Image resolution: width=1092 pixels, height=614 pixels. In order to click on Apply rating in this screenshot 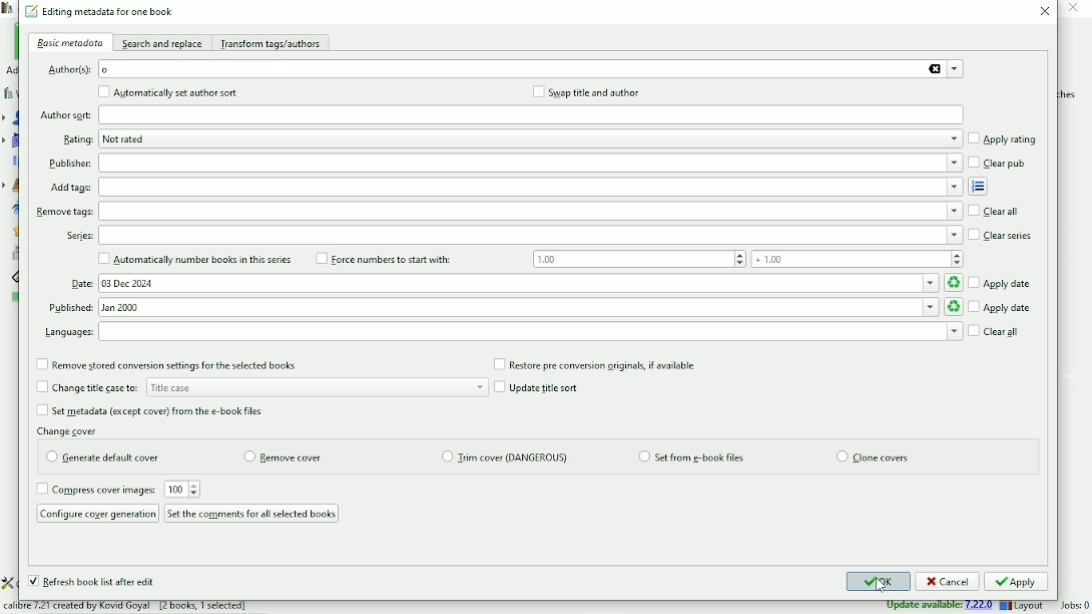, I will do `click(1003, 139)`.